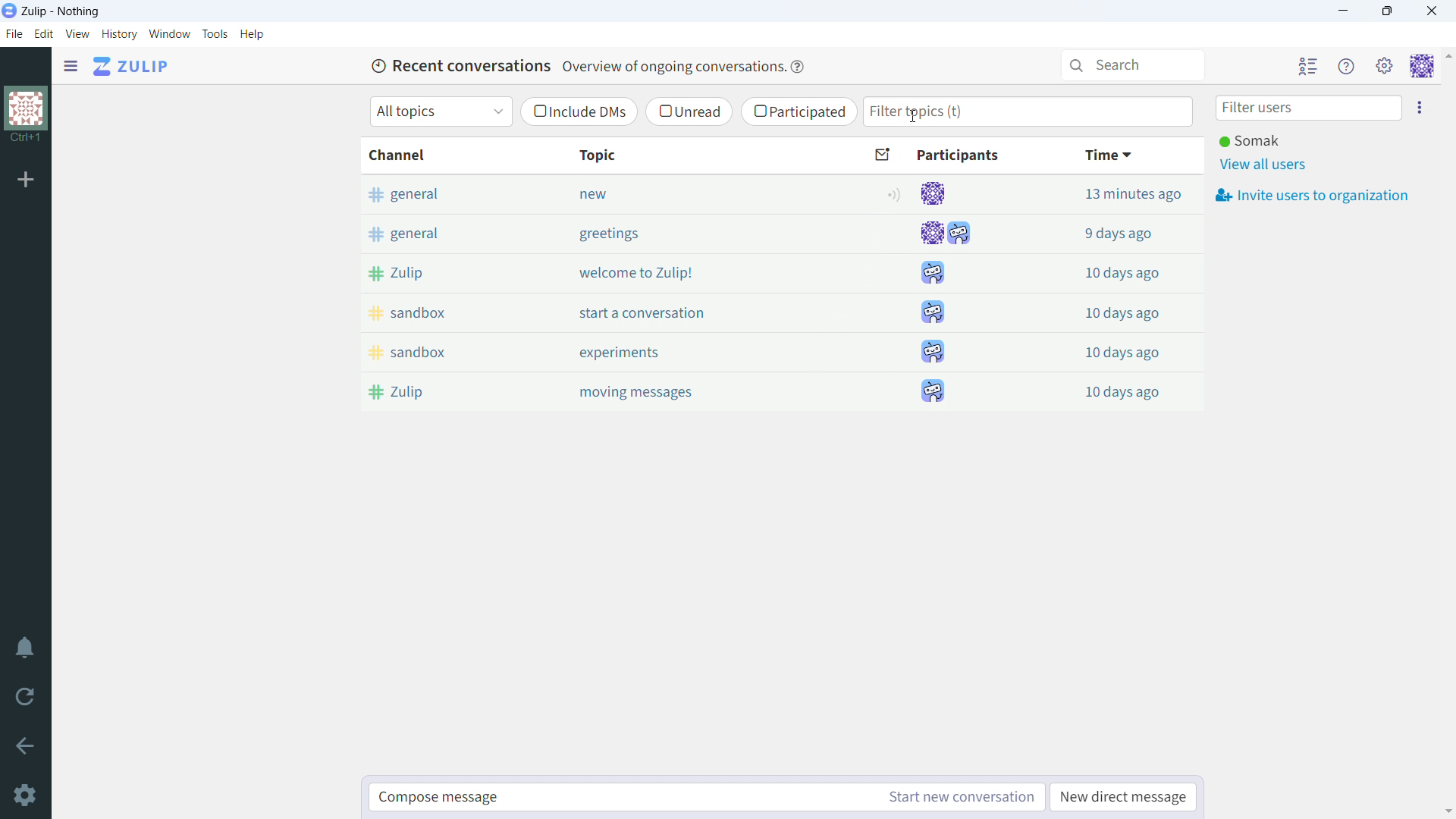 Image resolution: width=1456 pixels, height=819 pixels. I want to click on hide all users, so click(1308, 66).